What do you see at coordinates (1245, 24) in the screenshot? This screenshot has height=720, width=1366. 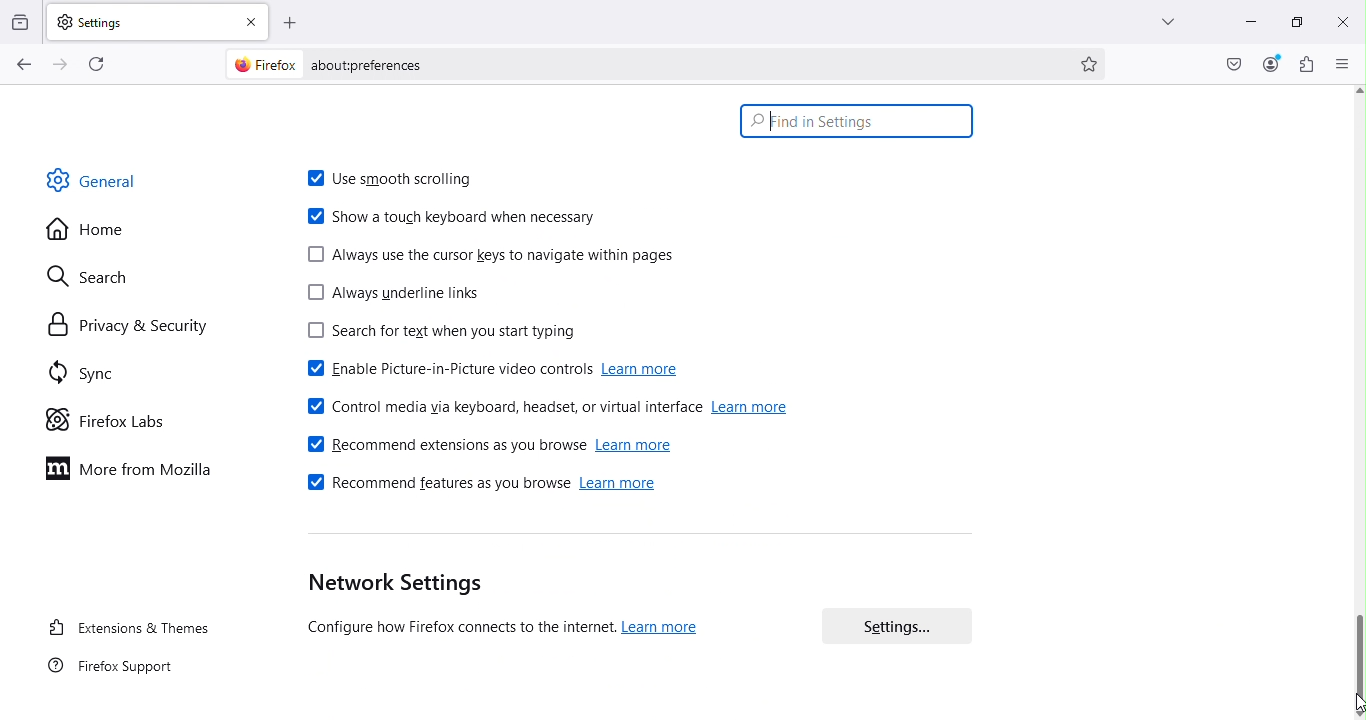 I see `Minimize tab` at bounding box center [1245, 24].